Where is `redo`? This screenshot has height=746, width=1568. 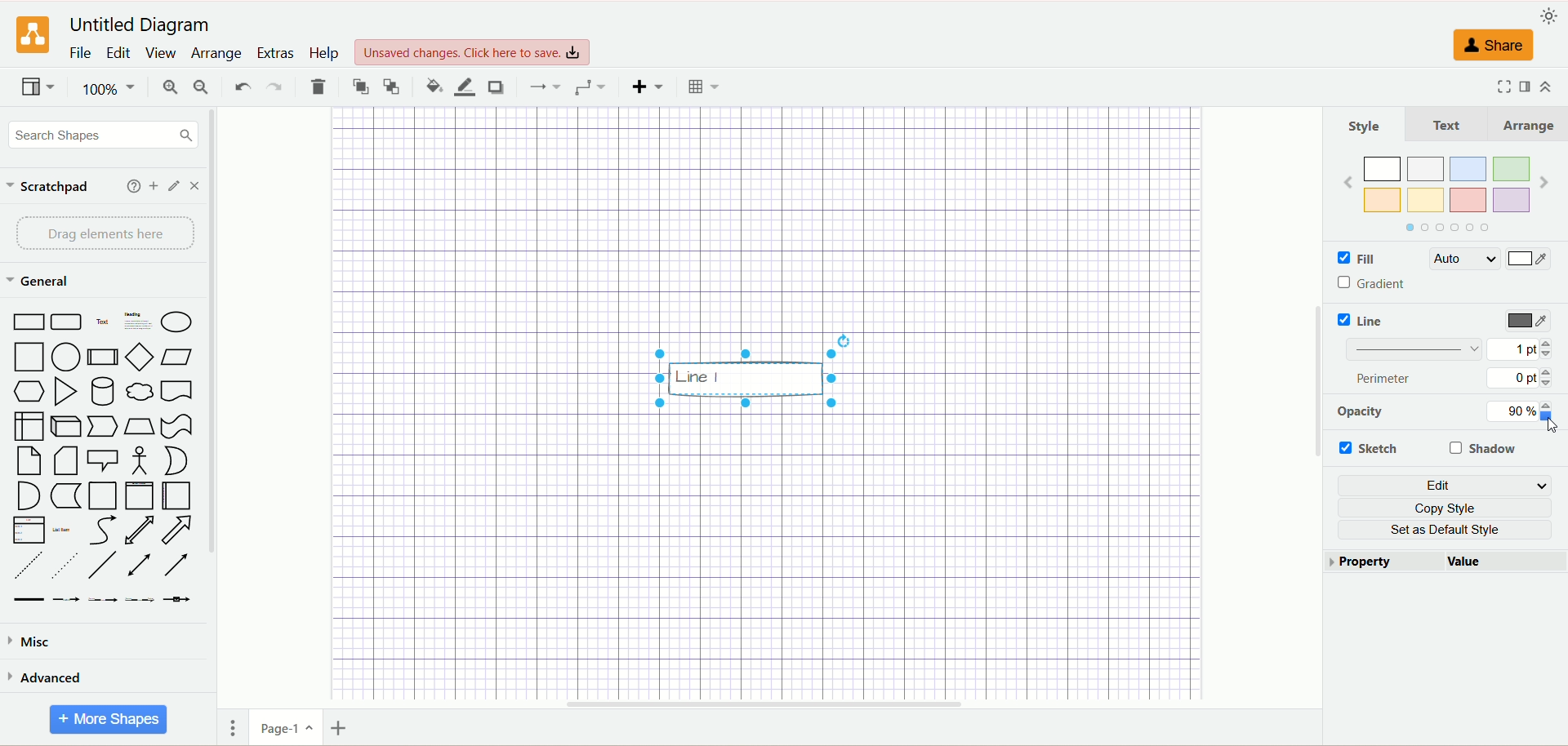
redo is located at coordinates (274, 85).